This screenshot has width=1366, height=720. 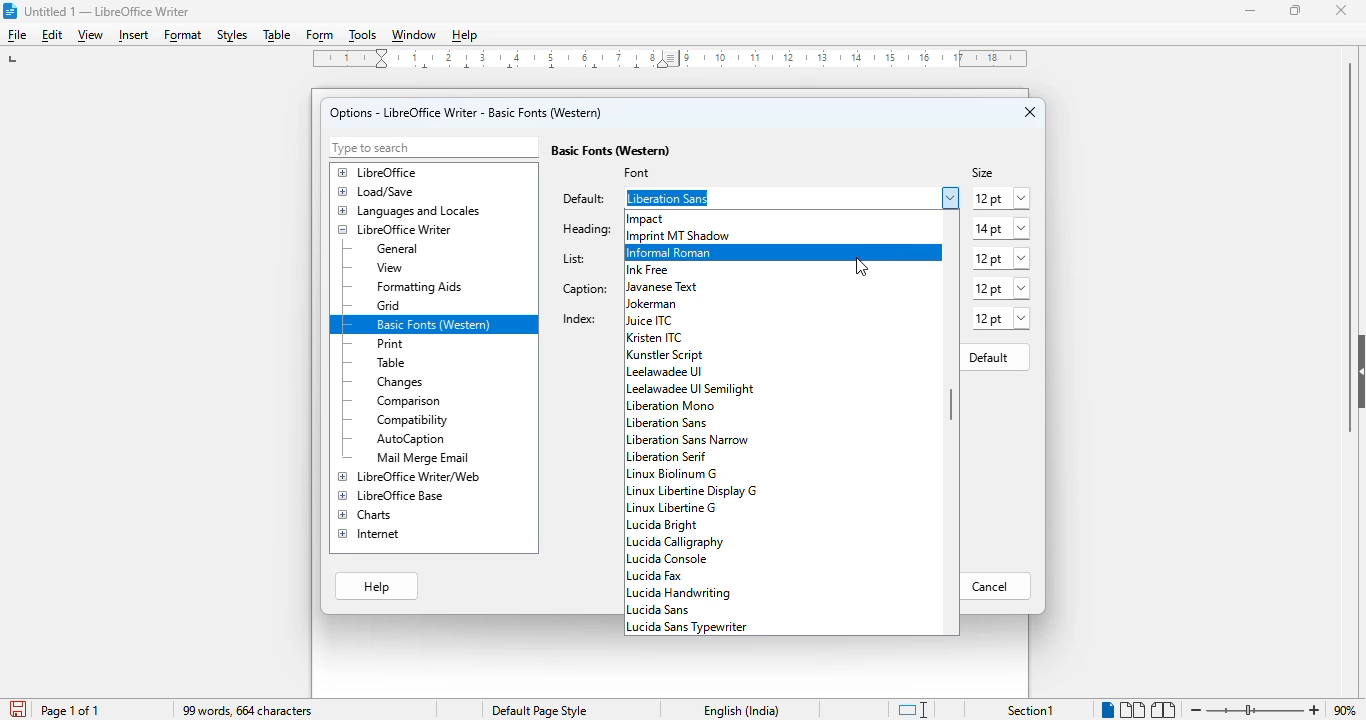 What do you see at coordinates (1163, 710) in the screenshot?
I see `book view` at bounding box center [1163, 710].